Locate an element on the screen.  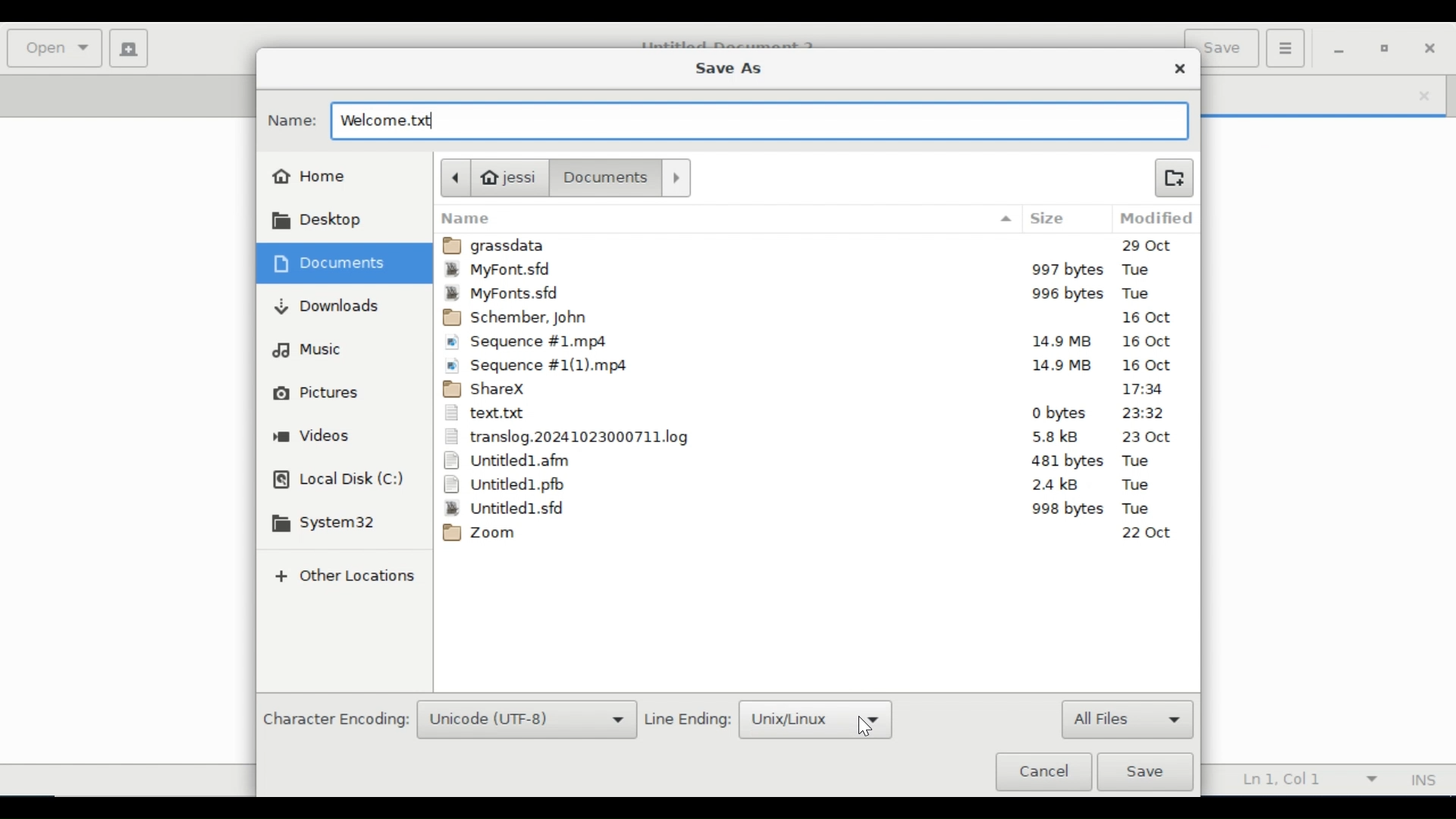
restore is located at coordinates (1386, 49).